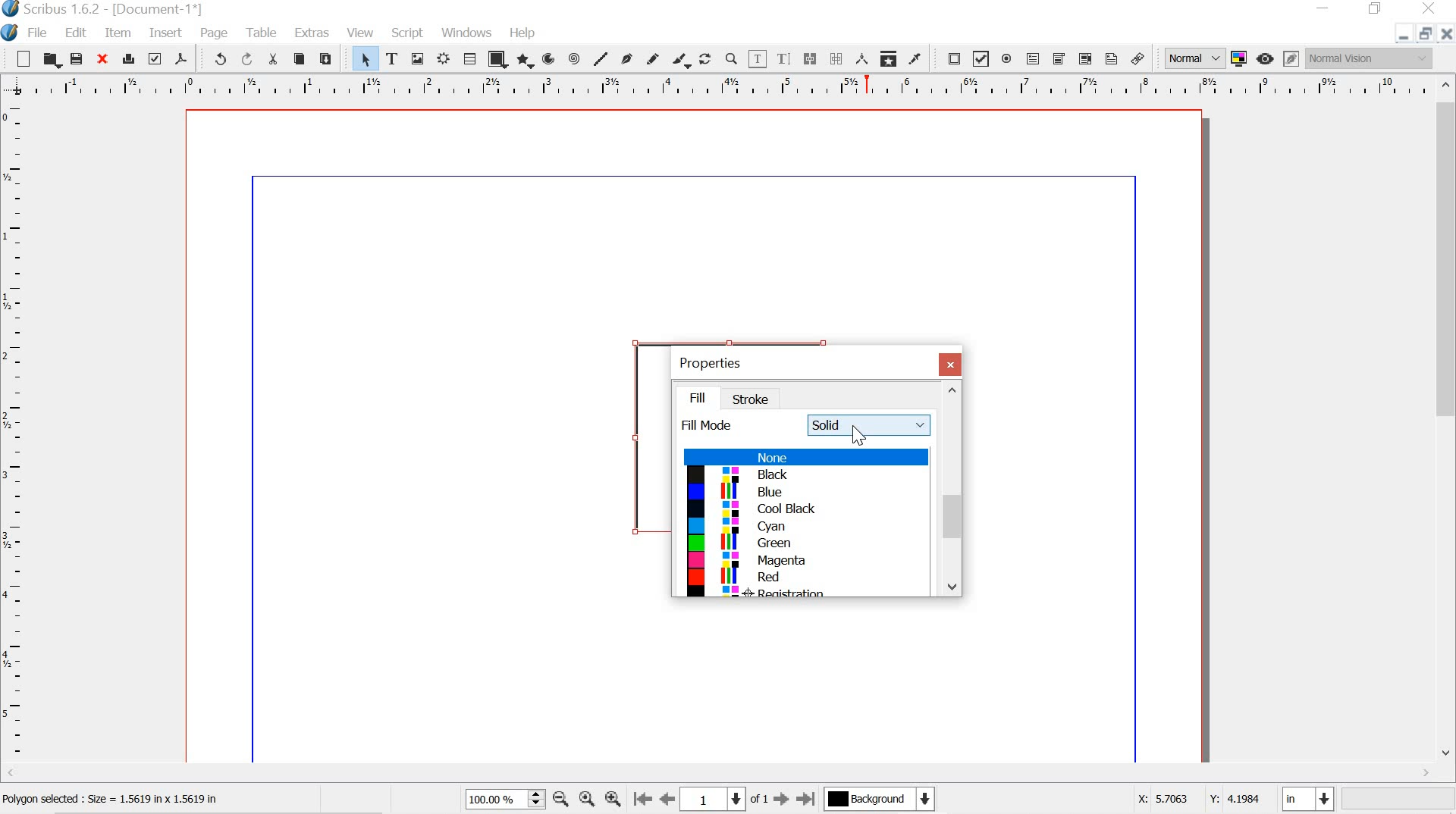 The width and height of the screenshot is (1456, 814). I want to click on stroke, so click(755, 399).